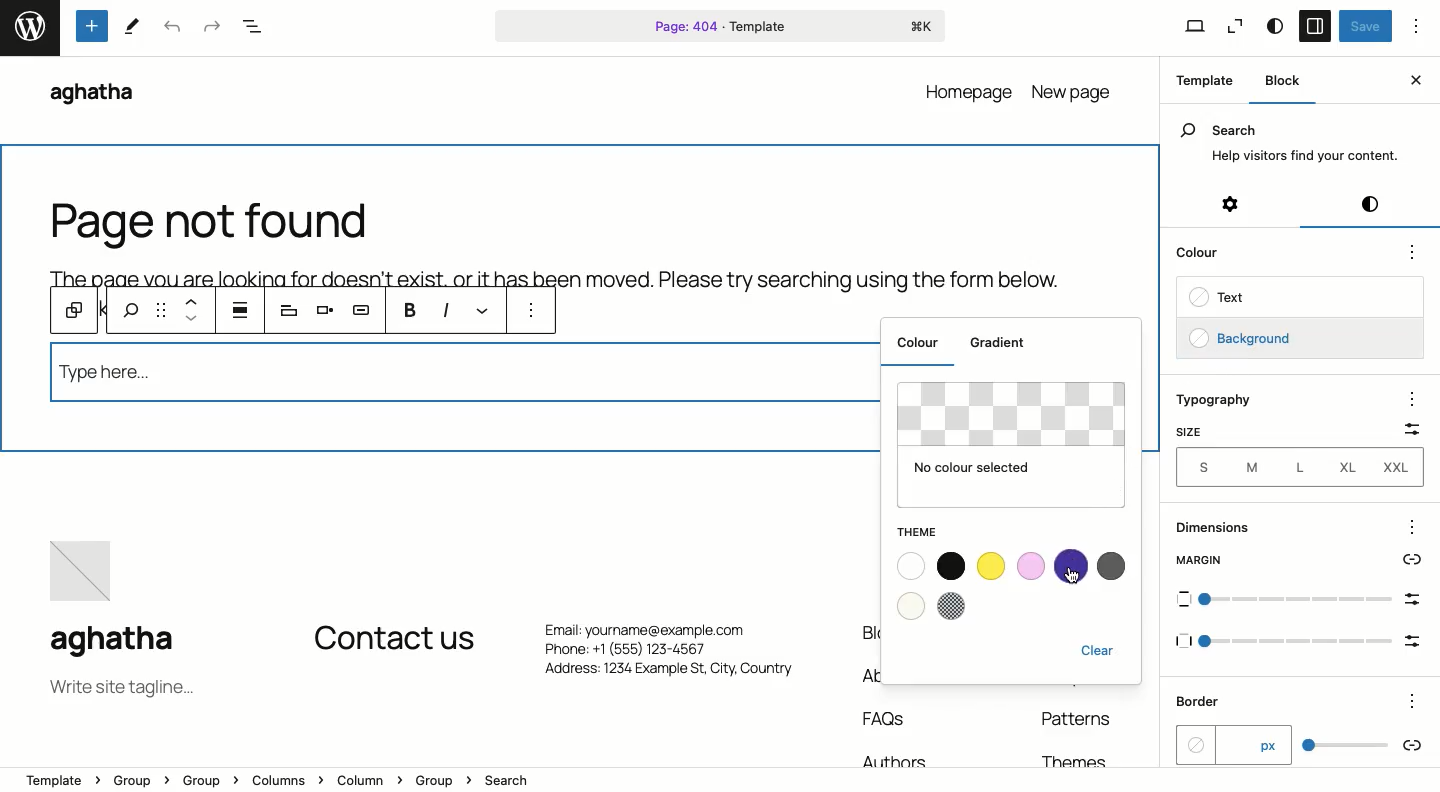  I want to click on , so click(1303, 602).